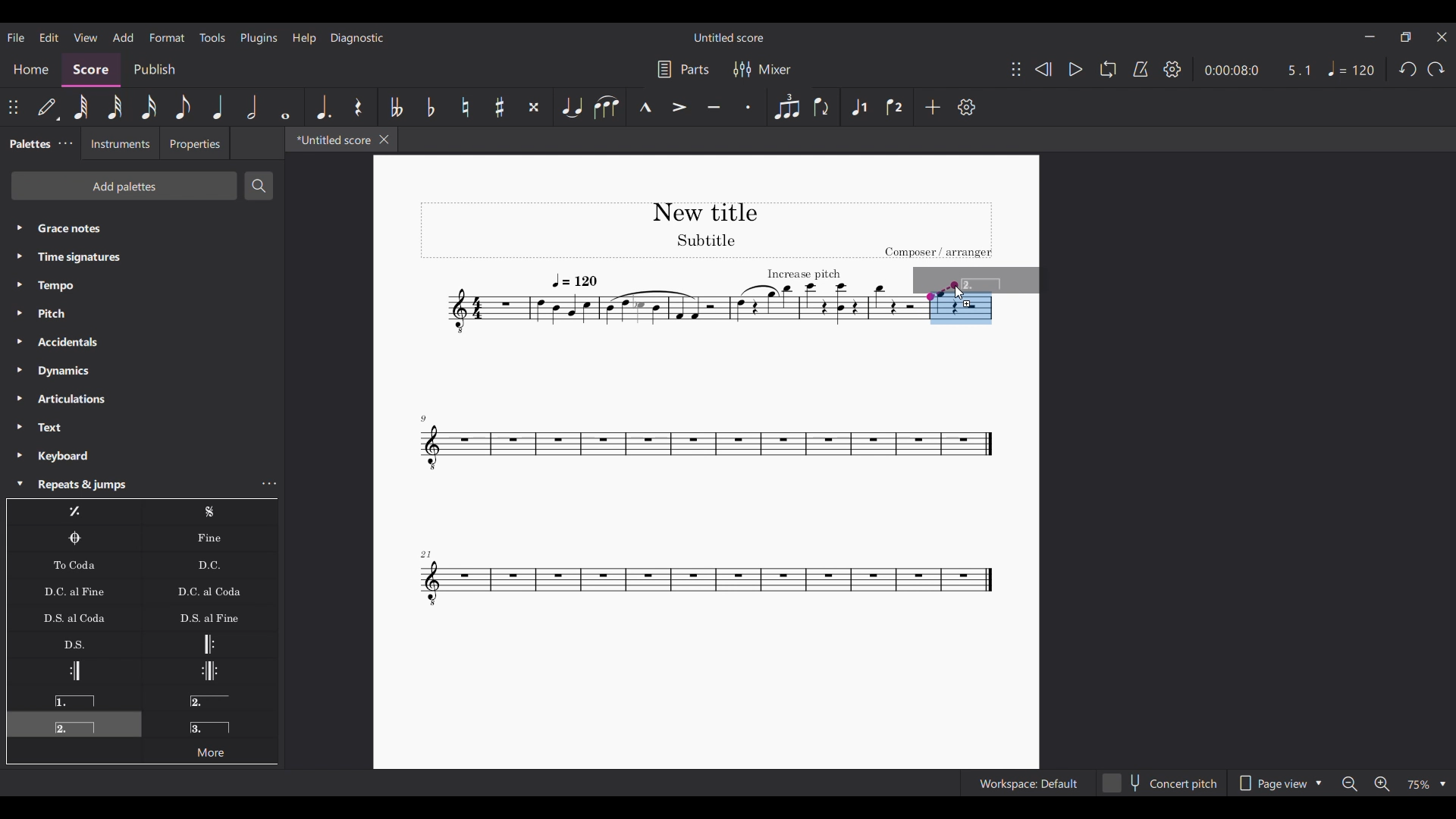 This screenshot has width=1456, height=819. Describe the element at coordinates (86, 37) in the screenshot. I see `View menu` at that location.